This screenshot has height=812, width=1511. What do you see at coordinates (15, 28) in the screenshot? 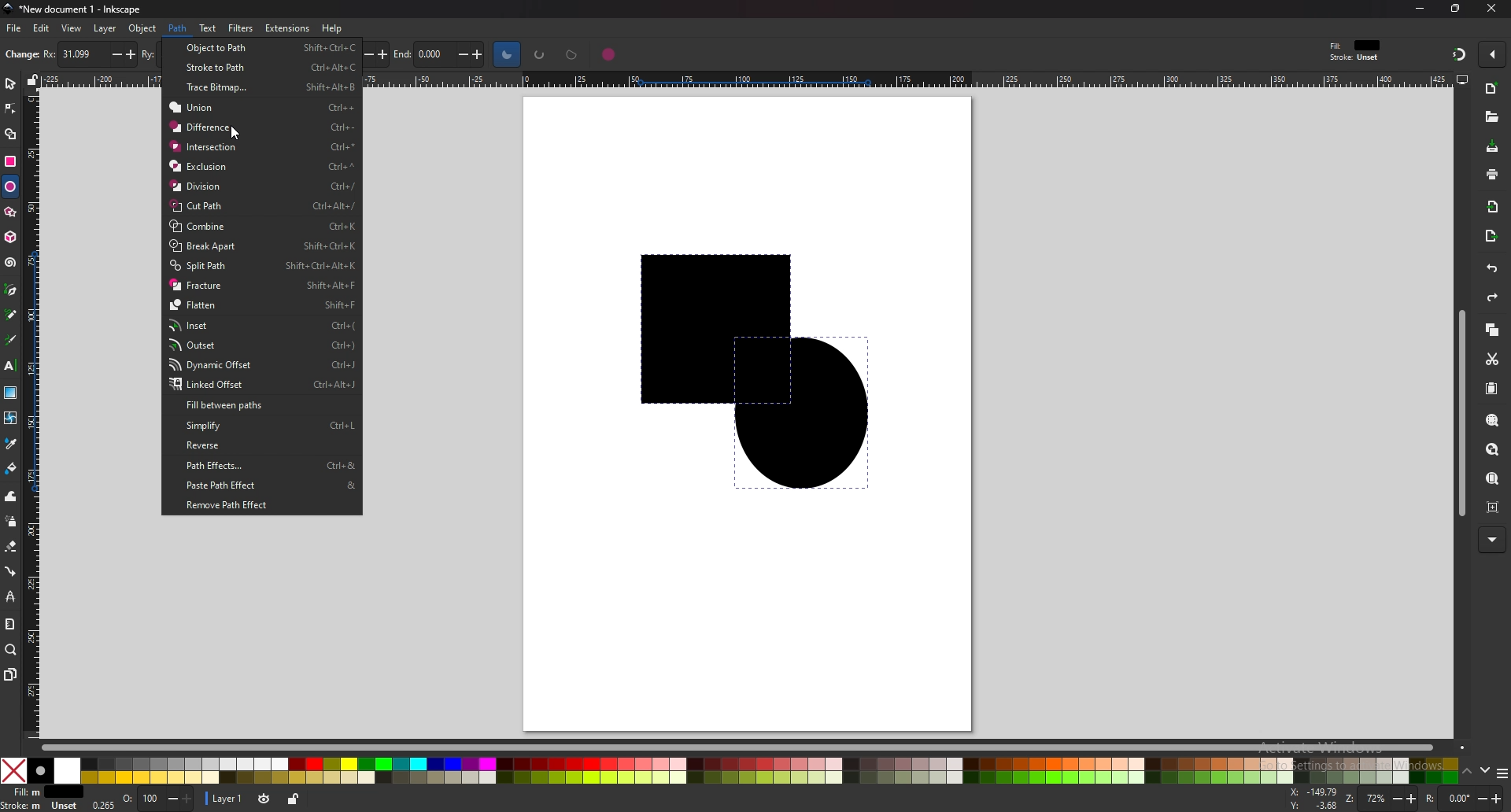
I see `file` at bounding box center [15, 28].